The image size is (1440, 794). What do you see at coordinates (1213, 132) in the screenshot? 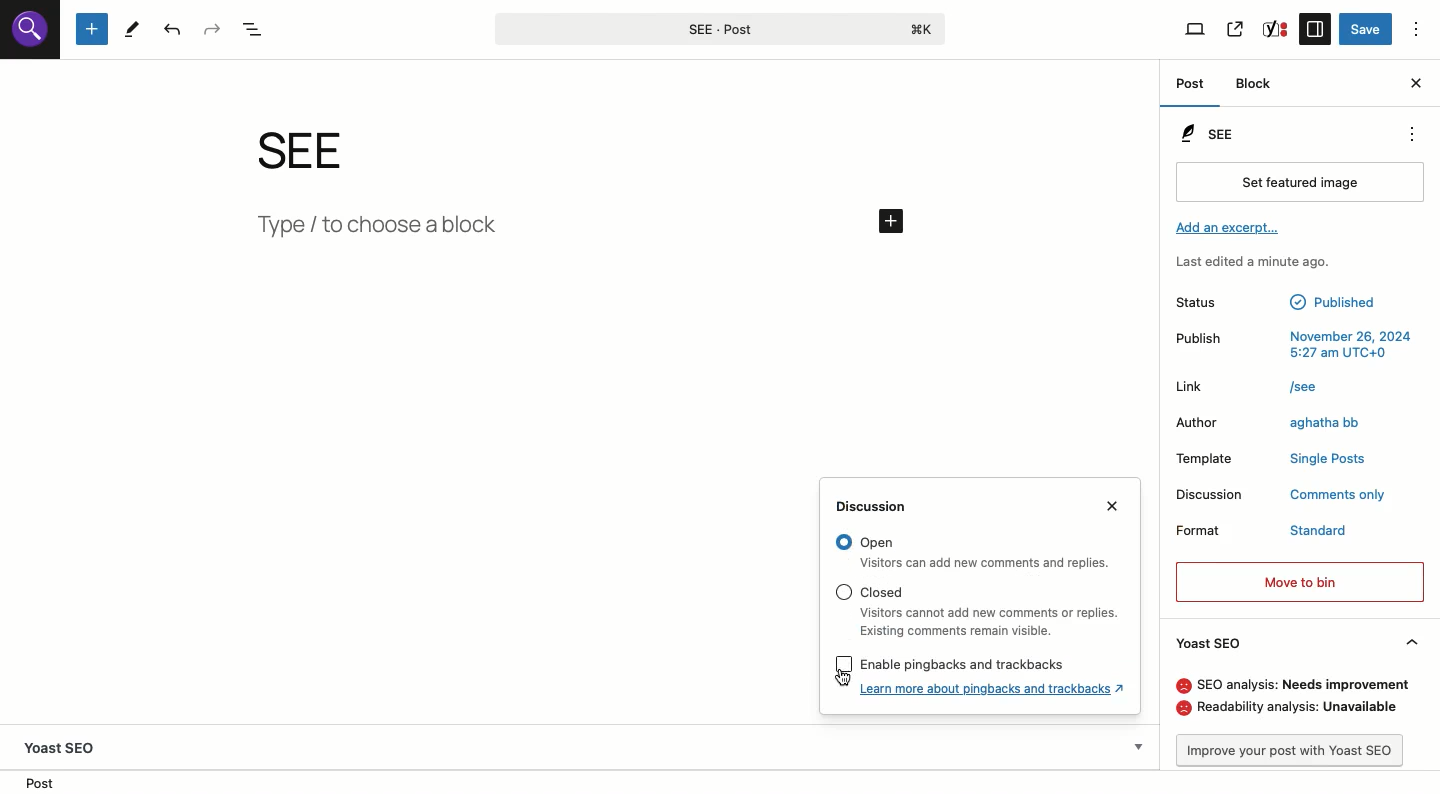
I see `SEE` at bounding box center [1213, 132].